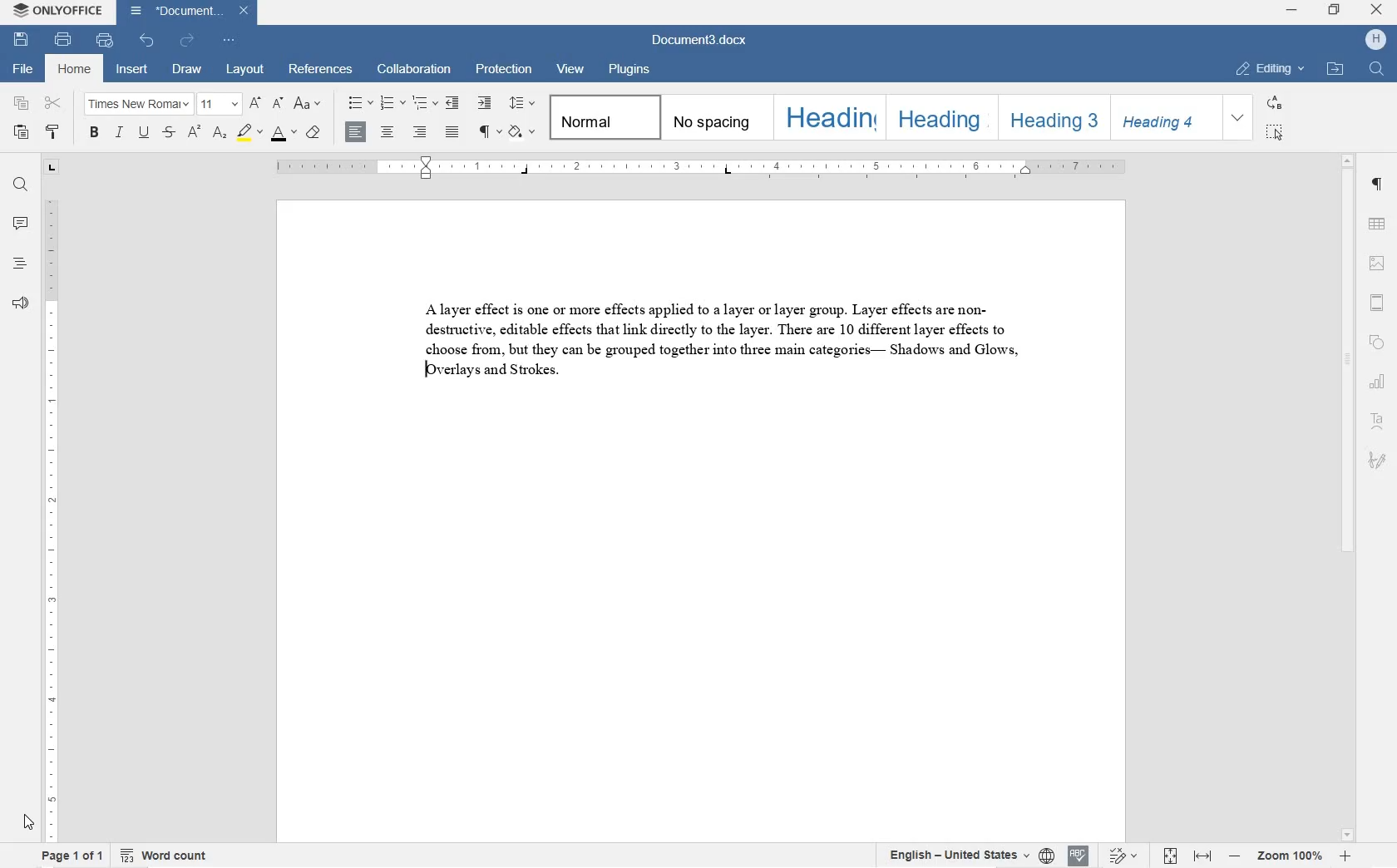  I want to click on page 1 of 1, so click(74, 856).